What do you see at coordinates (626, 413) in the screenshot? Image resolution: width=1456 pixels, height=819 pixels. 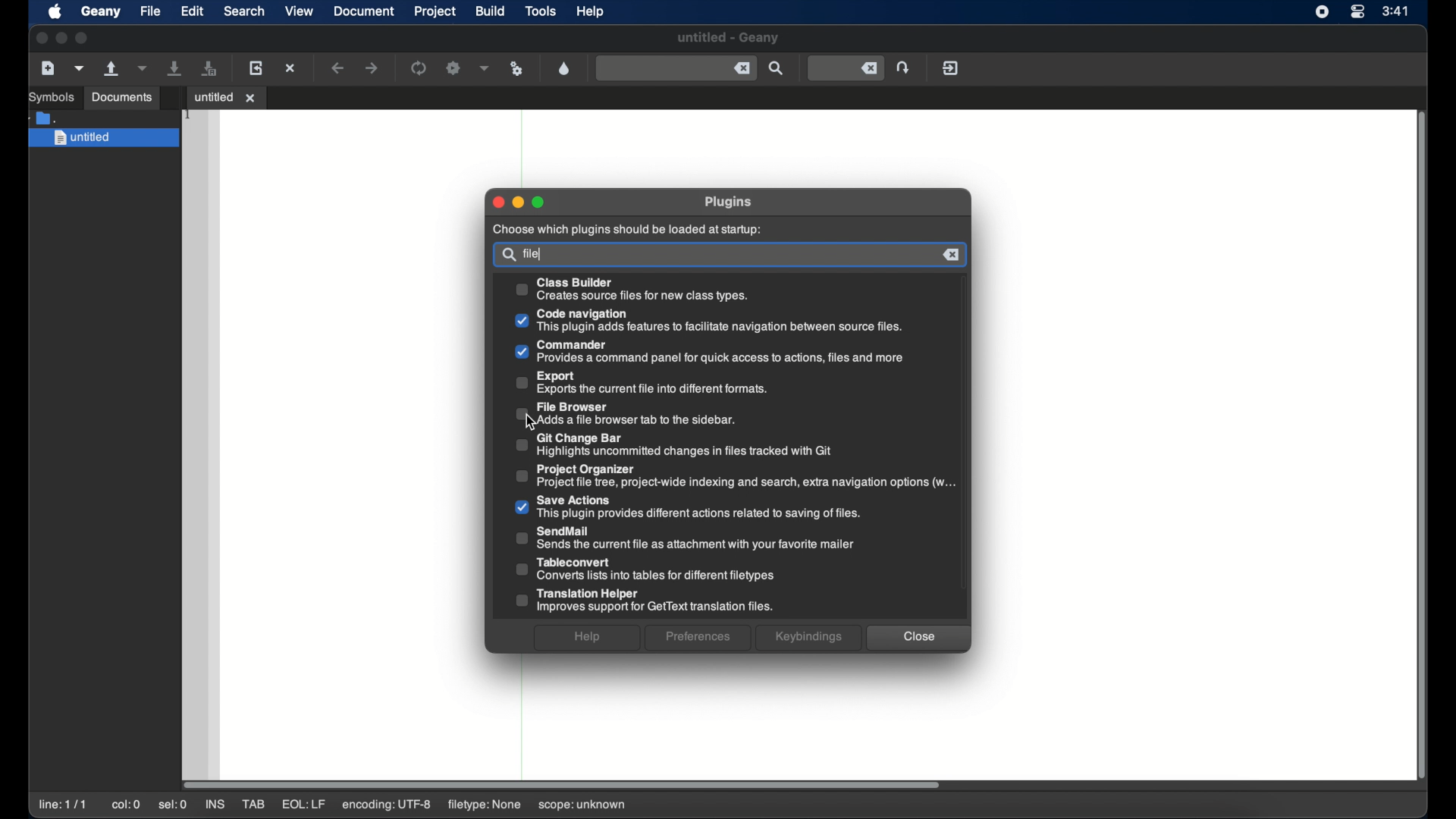 I see `file browser` at bounding box center [626, 413].